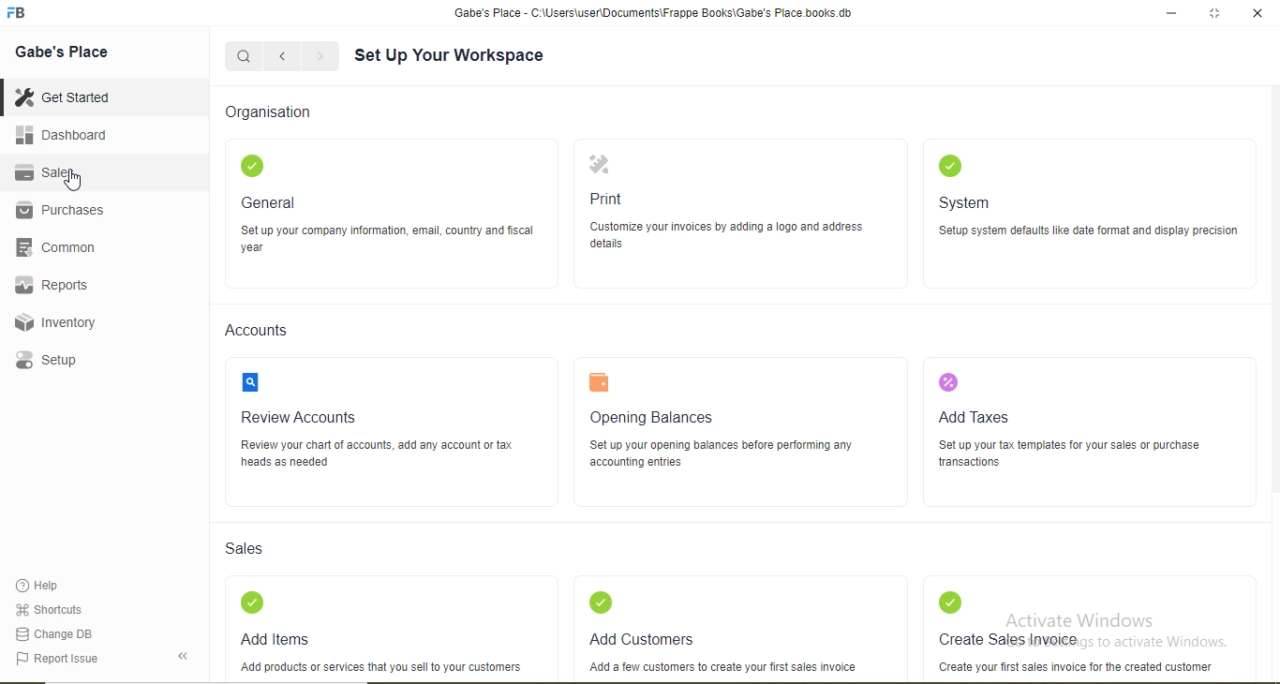 Image resolution: width=1280 pixels, height=684 pixels. I want to click on Set up your company information, email, country and fiscal
year, so click(392, 239).